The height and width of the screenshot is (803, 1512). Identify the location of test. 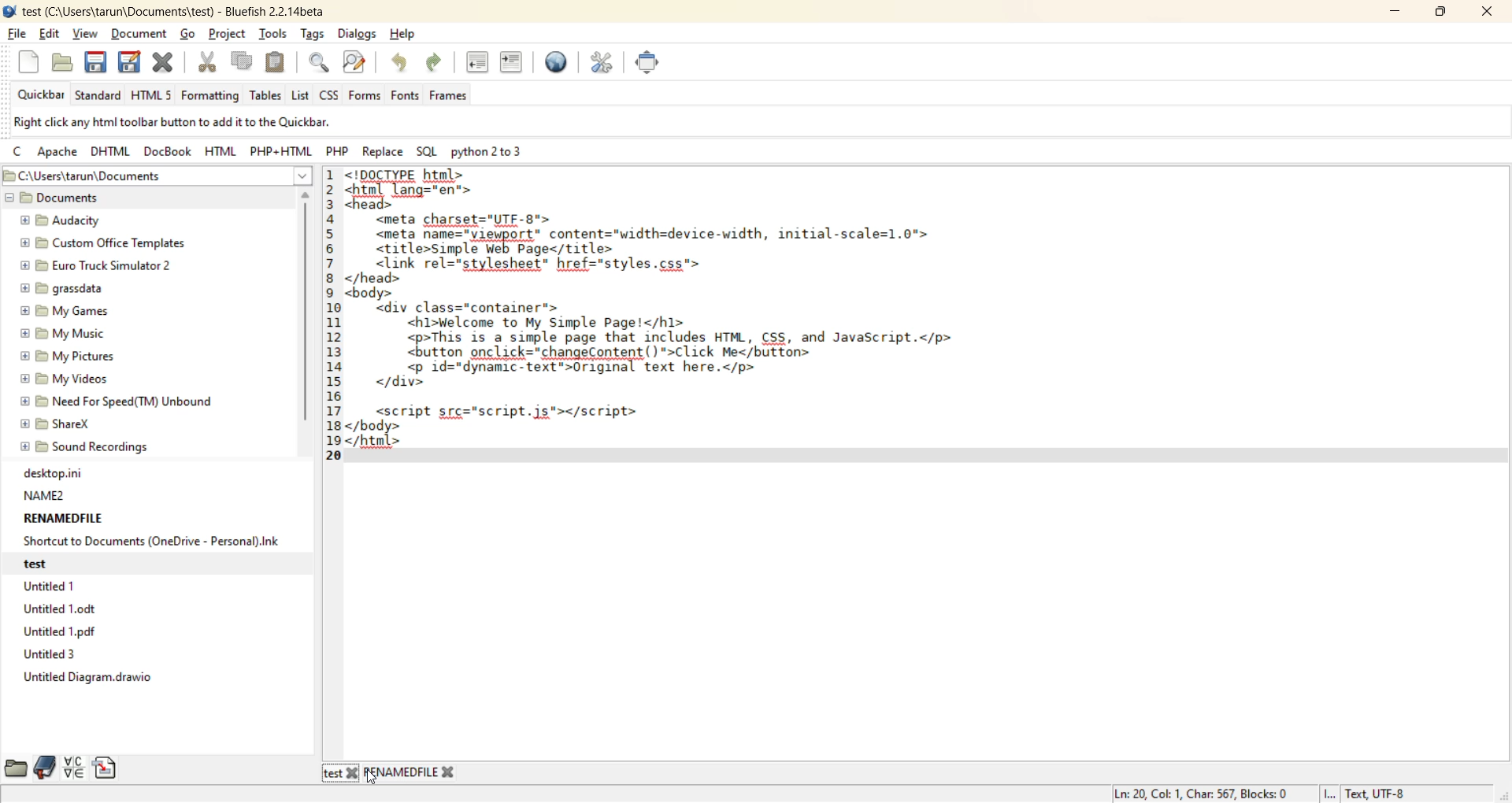
(35, 565).